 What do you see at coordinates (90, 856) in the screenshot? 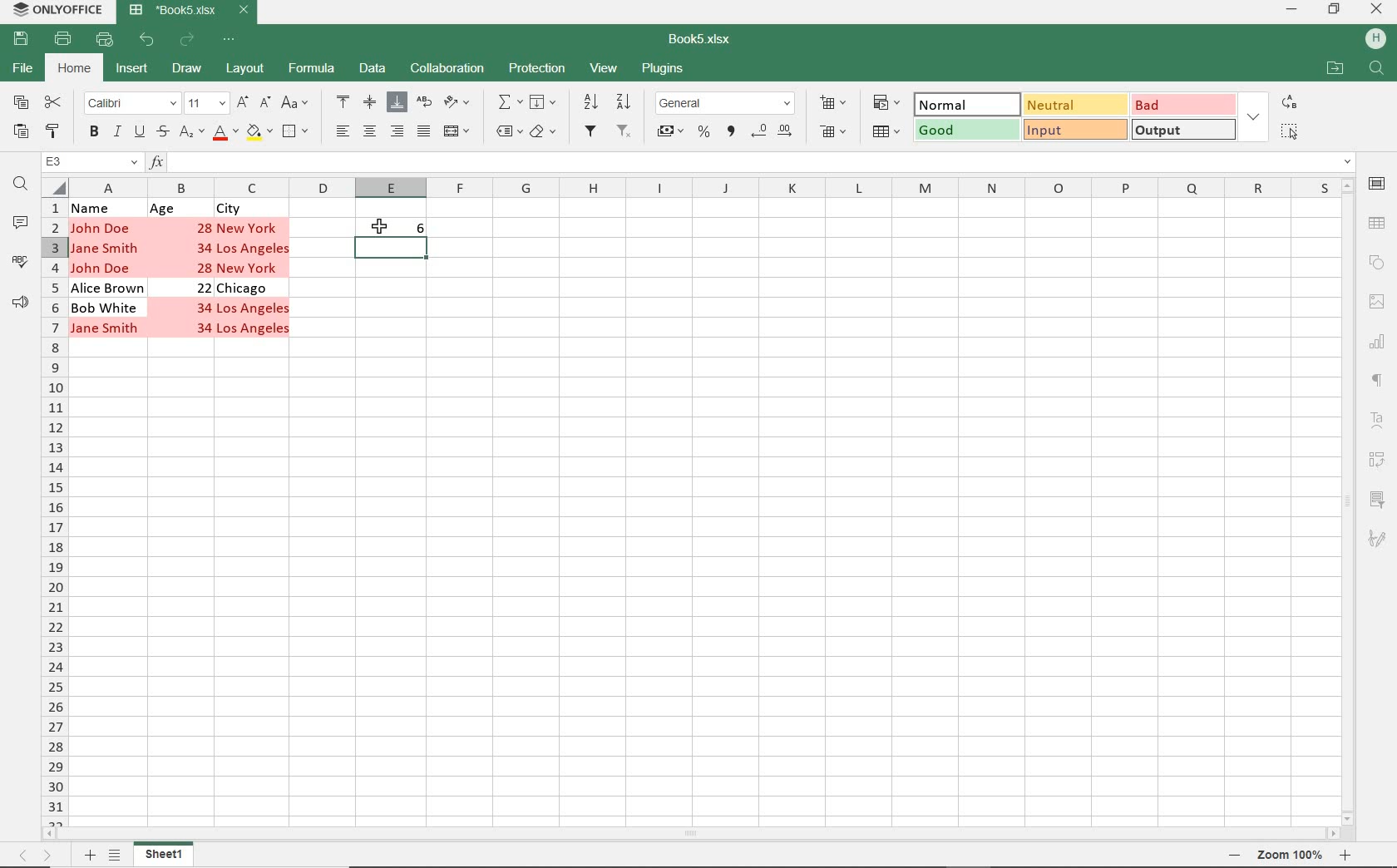
I see `ADD SHEETS` at bounding box center [90, 856].